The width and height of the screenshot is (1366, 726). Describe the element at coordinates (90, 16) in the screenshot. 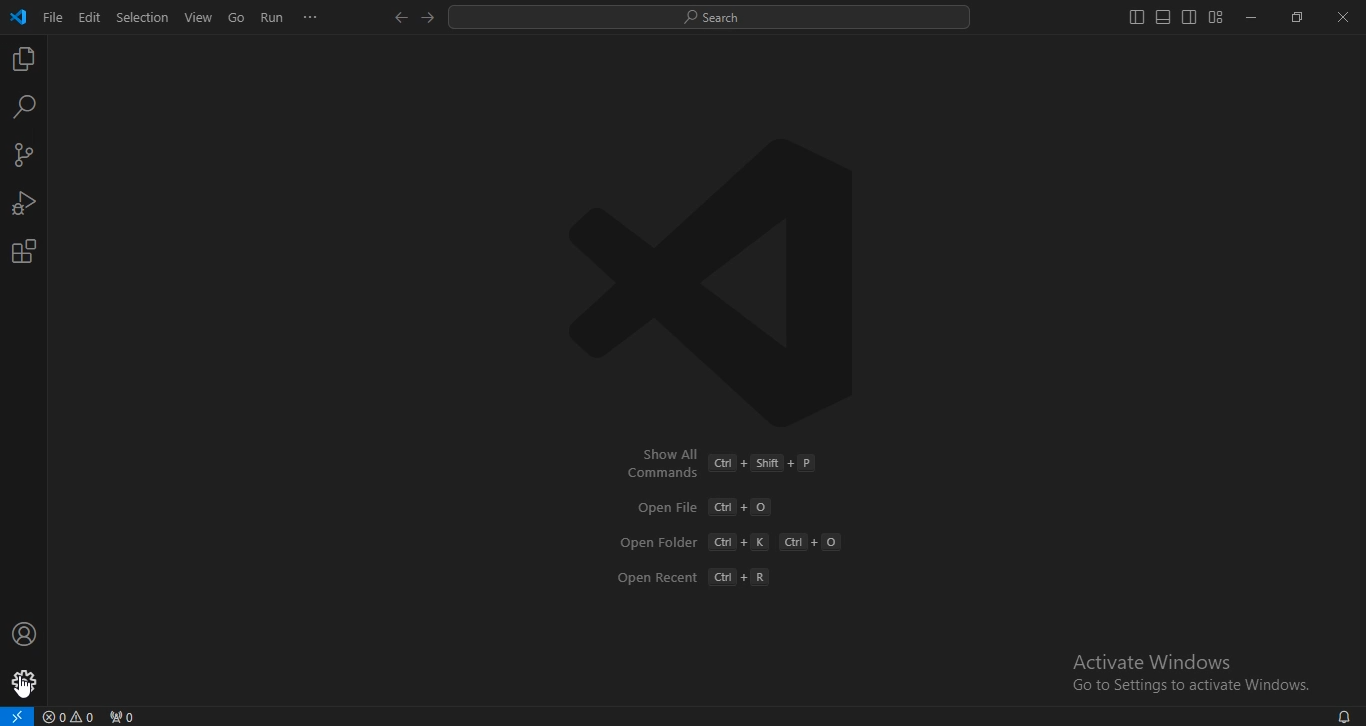

I see `edit` at that location.